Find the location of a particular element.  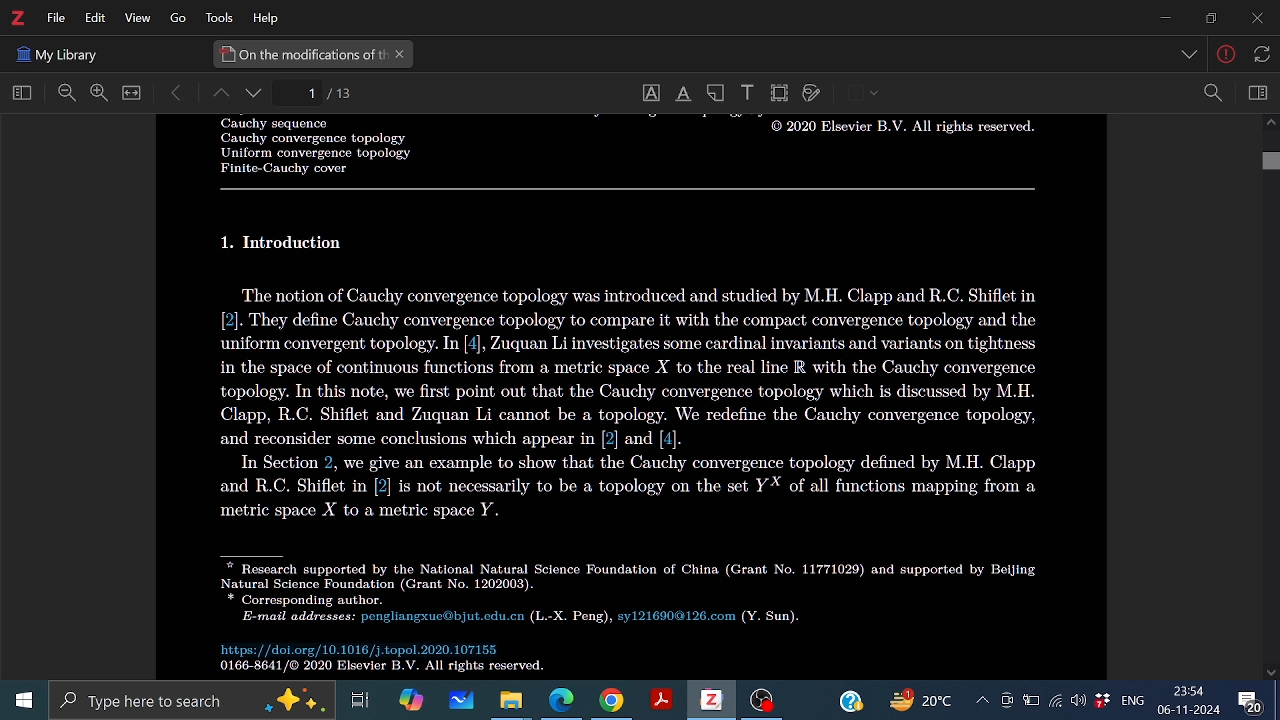

Move up is located at coordinates (1270, 125).